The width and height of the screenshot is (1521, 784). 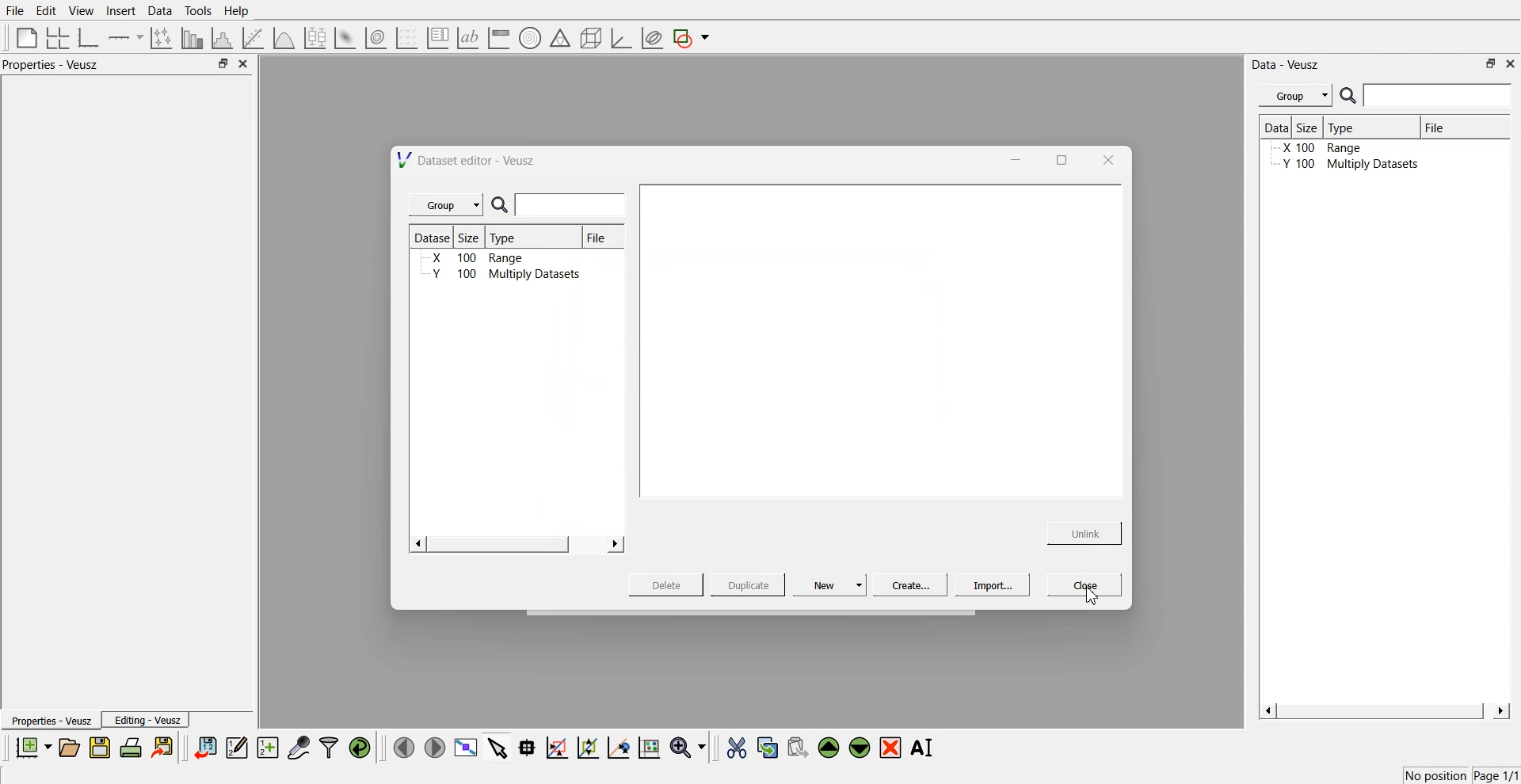 I want to click on image color bar, so click(x=498, y=39).